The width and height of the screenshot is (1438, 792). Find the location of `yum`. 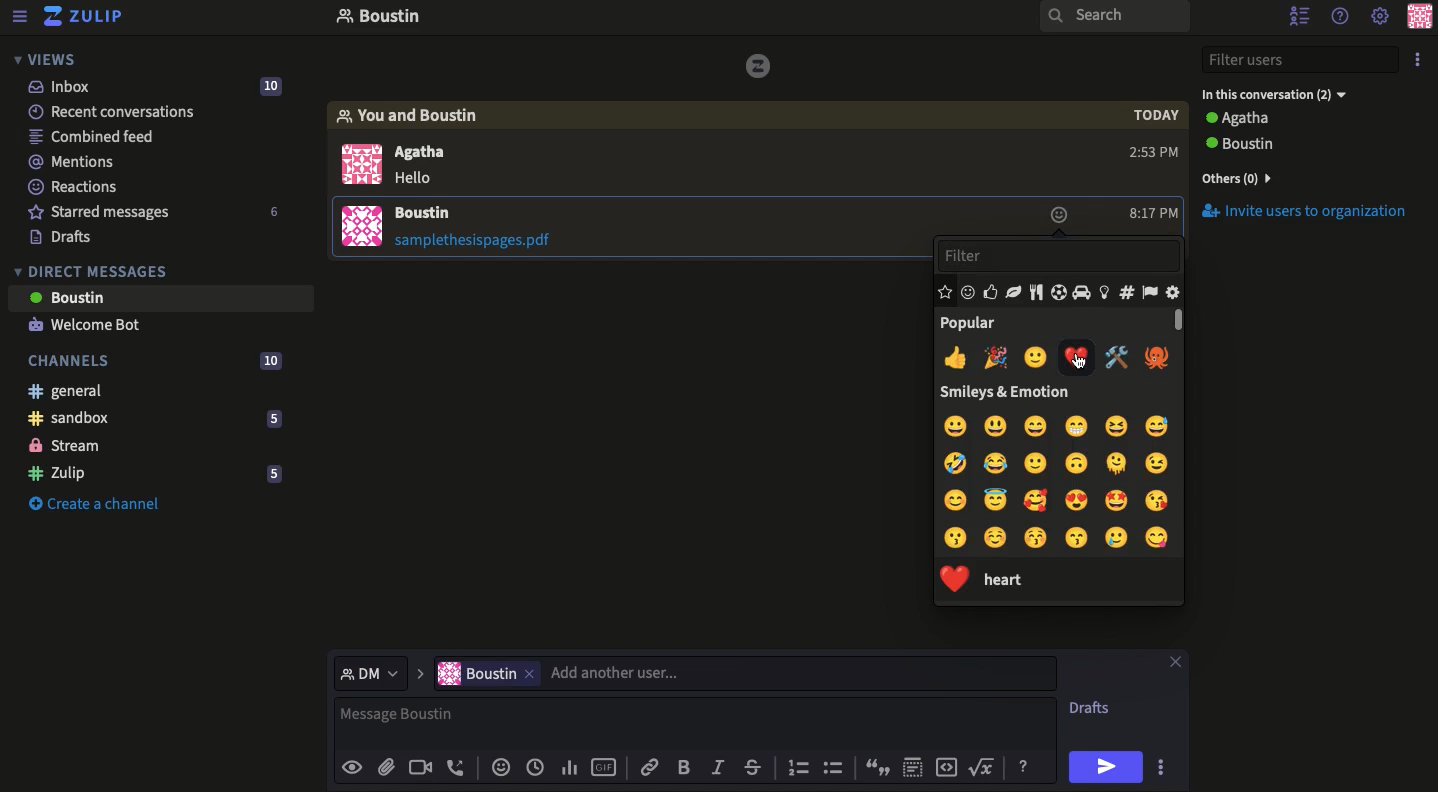

yum is located at coordinates (1160, 539).